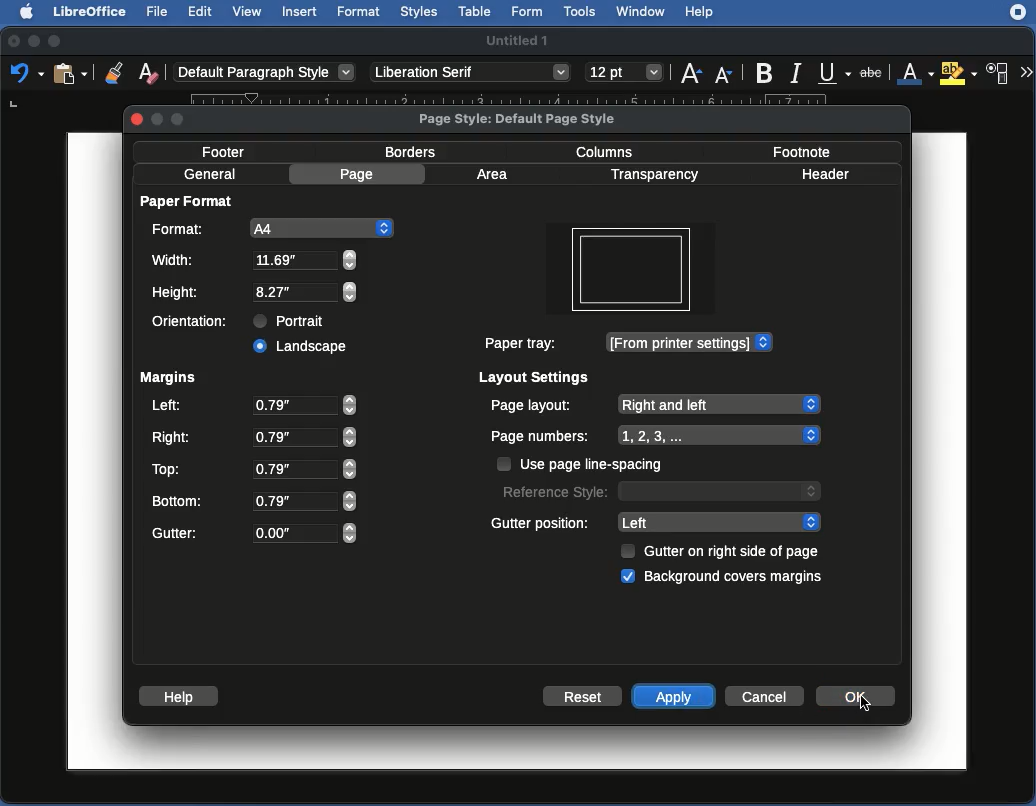 Image resolution: width=1036 pixels, height=806 pixels. Describe the element at coordinates (300, 12) in the screenshot. I see `Insert` at that location.